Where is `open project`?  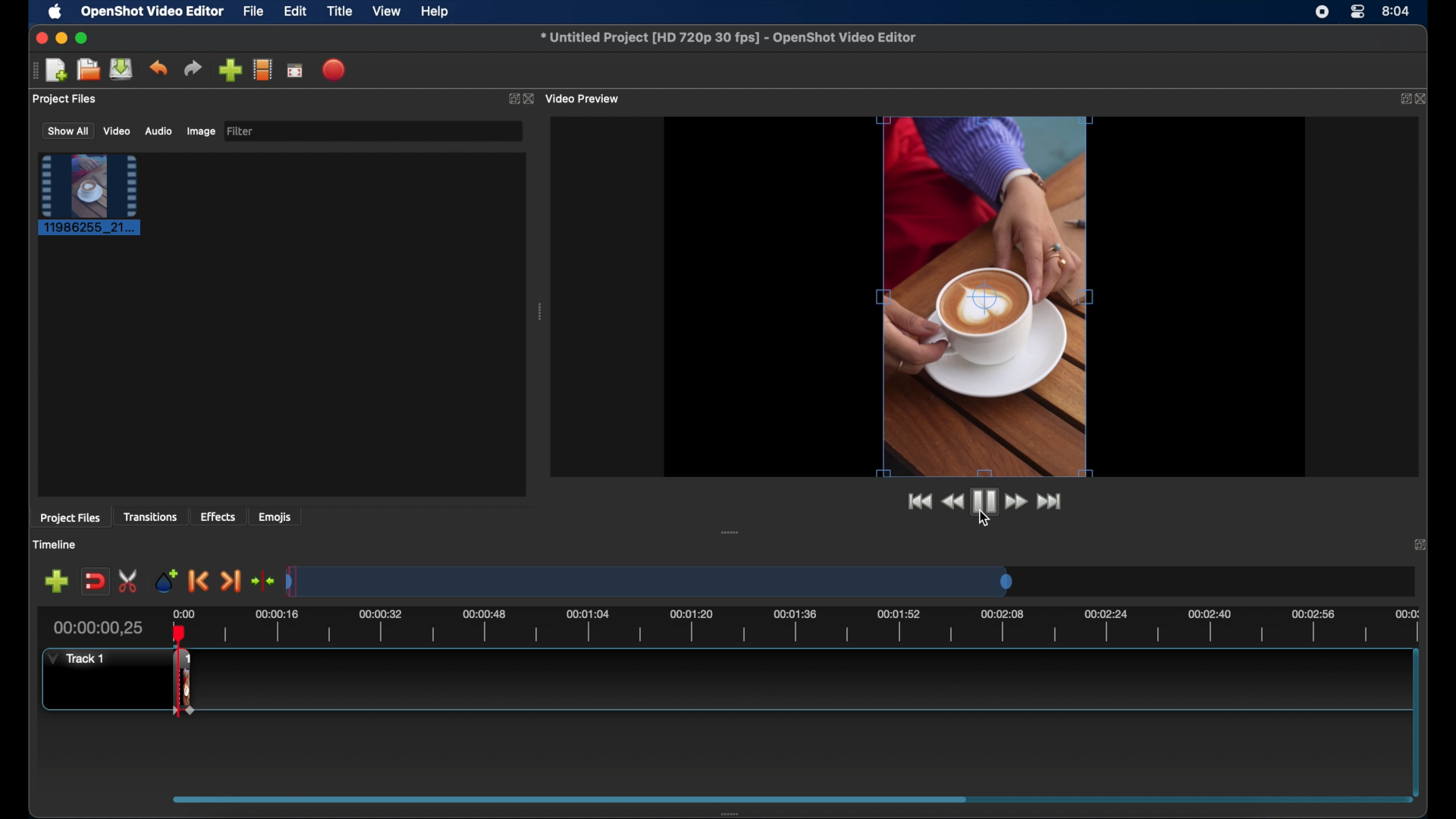
open project is located at coordinates (88, 70).